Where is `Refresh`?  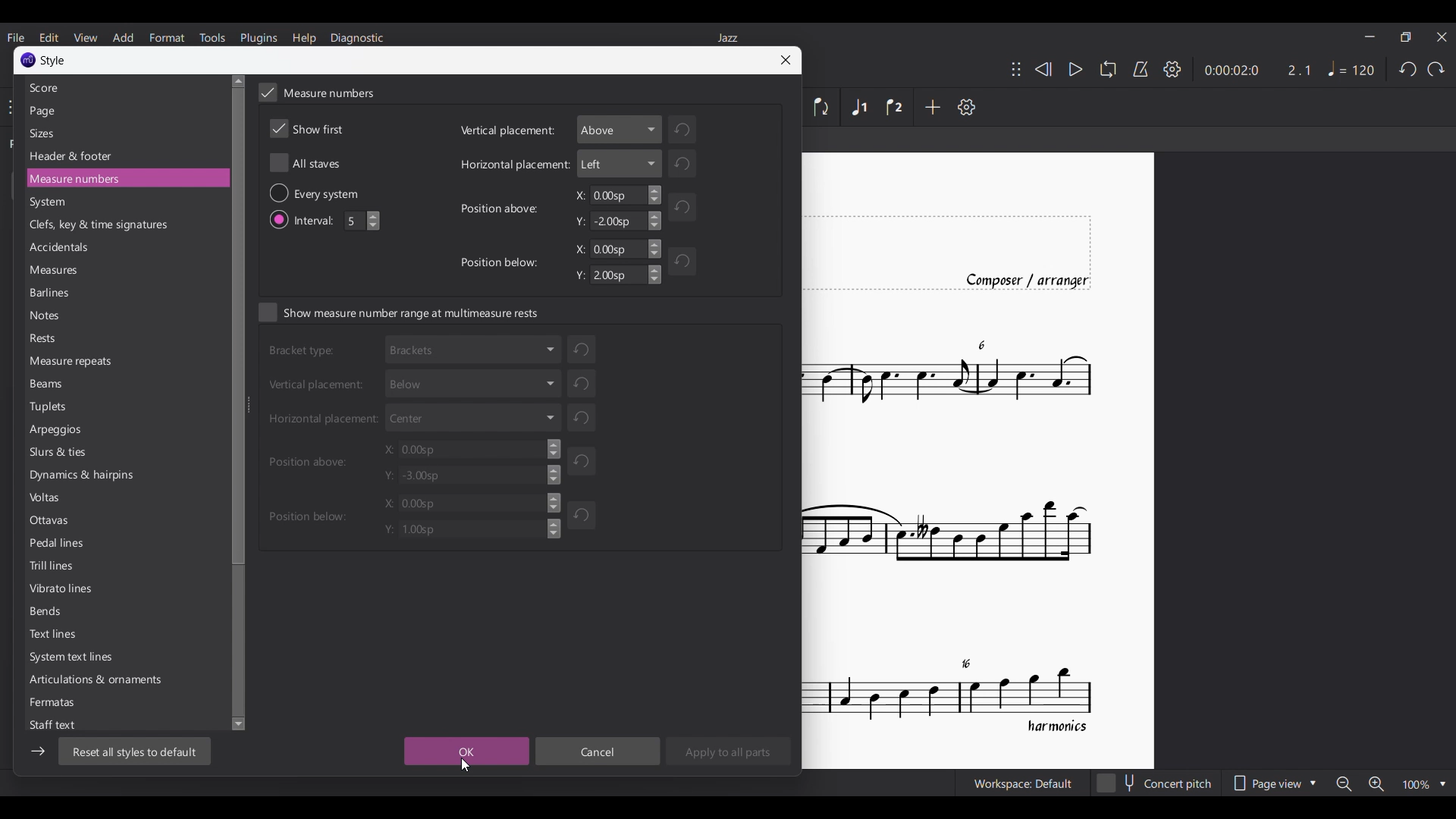
Refresh is located at coordinates (585, 460).